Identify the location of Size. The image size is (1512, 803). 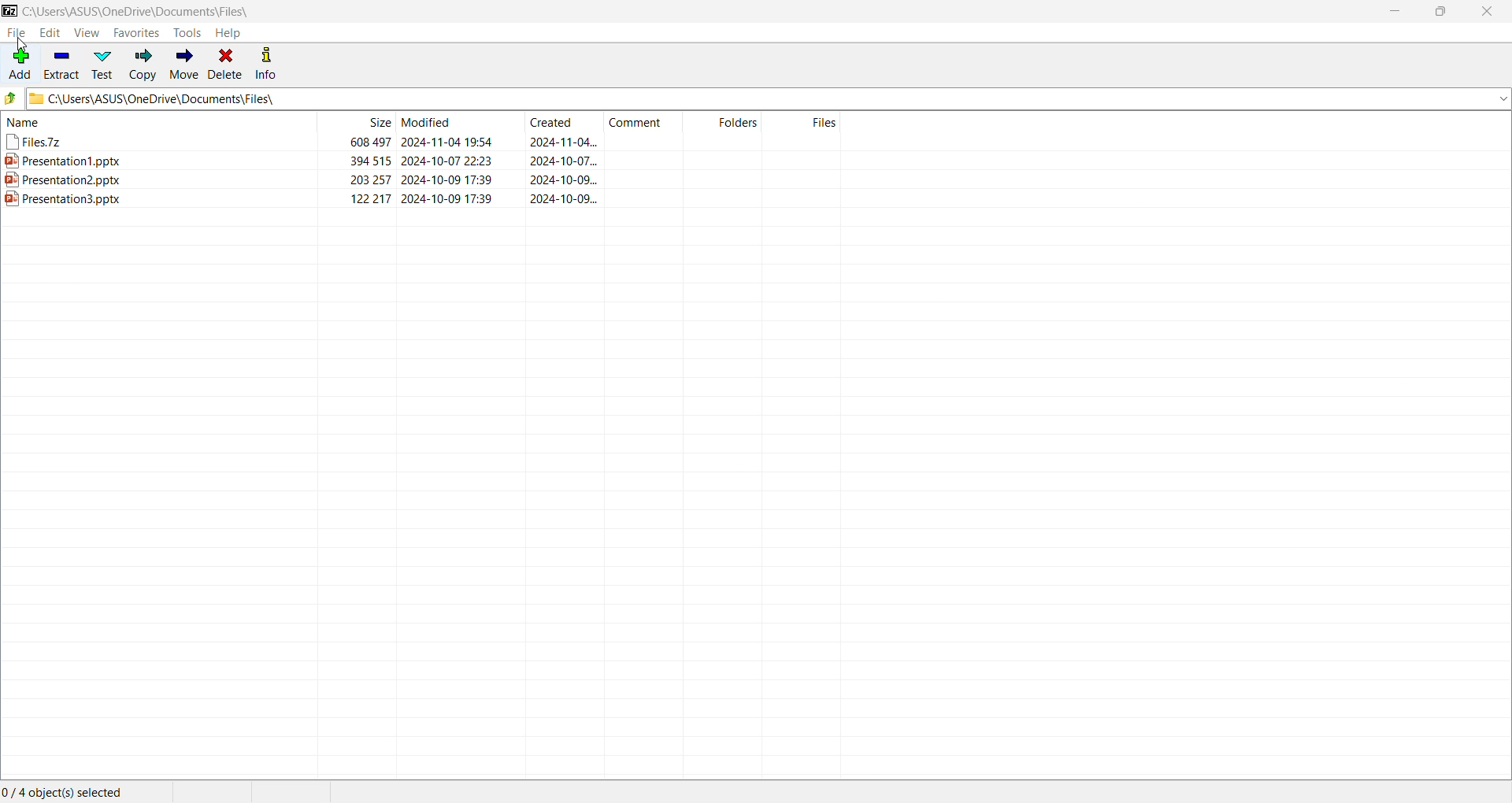
(368, 122).